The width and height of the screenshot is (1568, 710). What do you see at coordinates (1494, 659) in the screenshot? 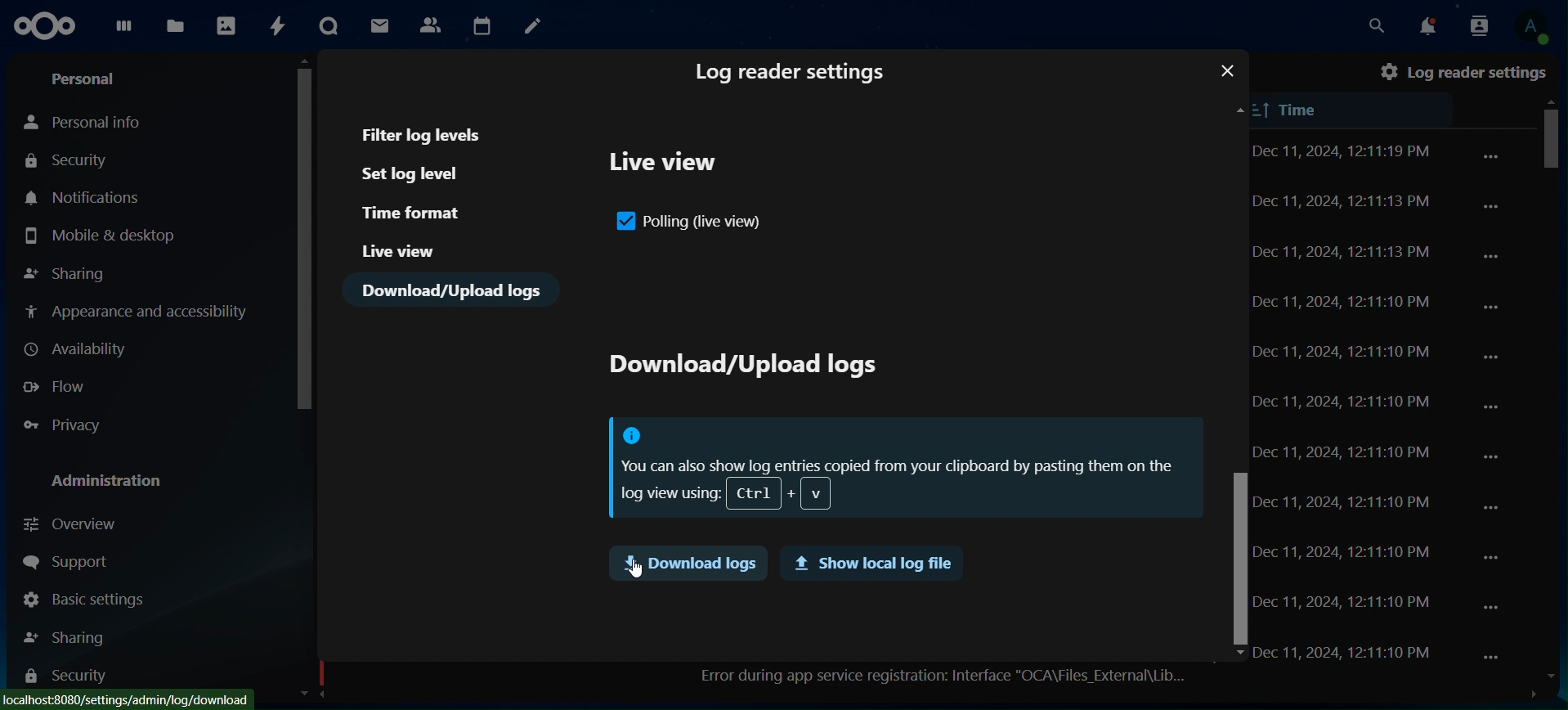
I see `...` at bounding box center [1494, 659].